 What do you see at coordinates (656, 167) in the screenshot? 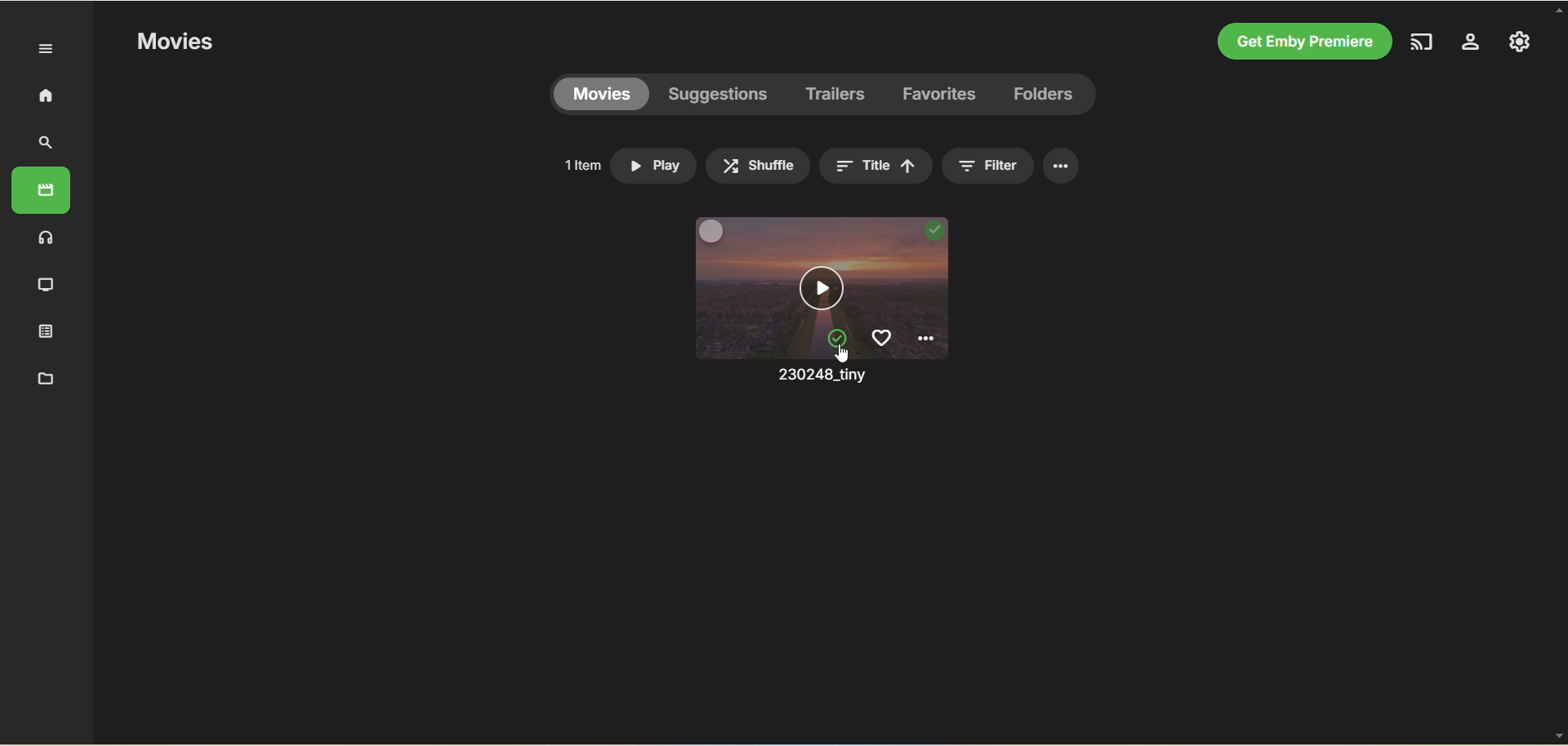
I see `play` at bounding box center [656, 167].